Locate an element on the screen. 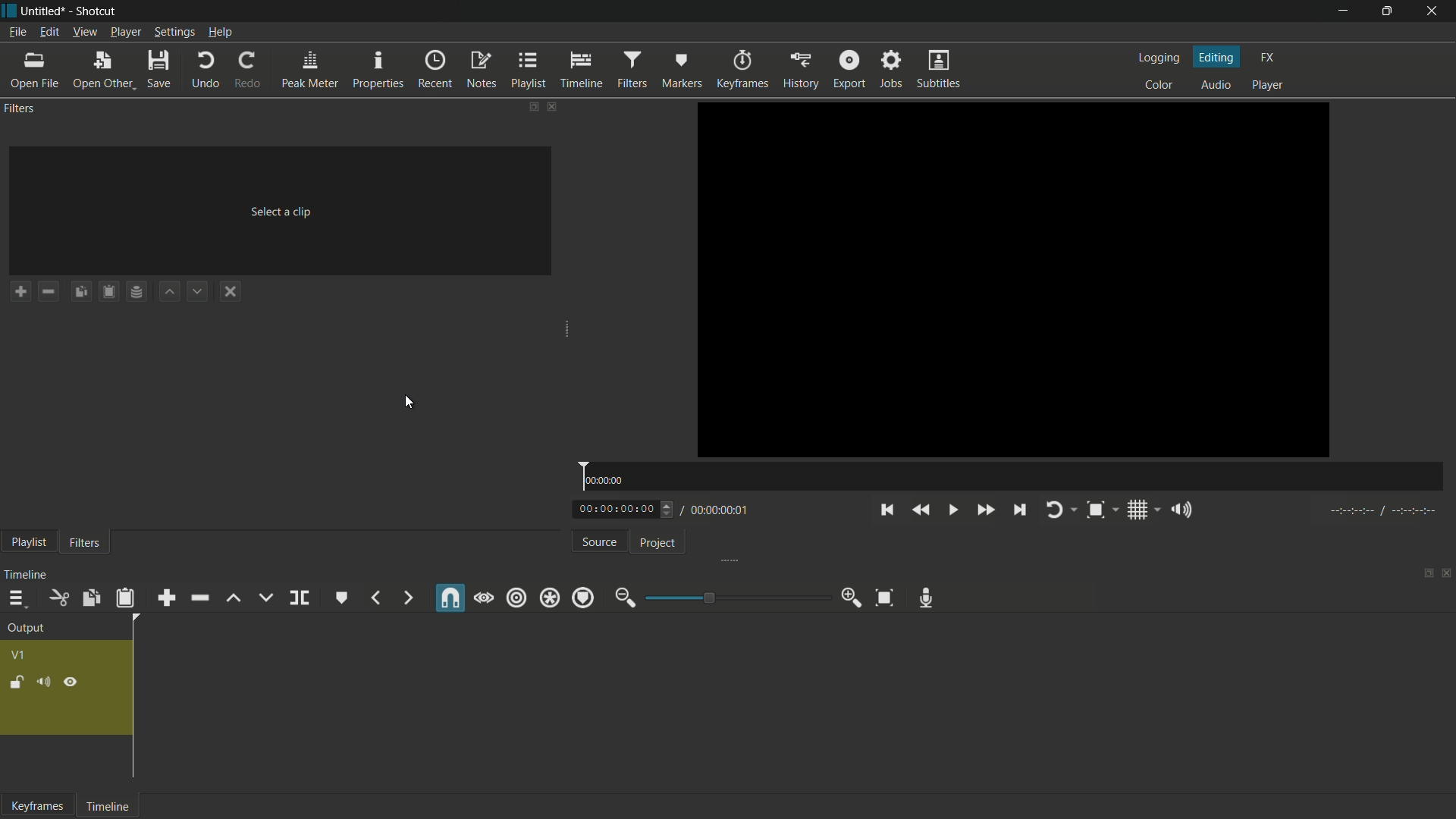  overwrite is located at coordinates (266, 596).